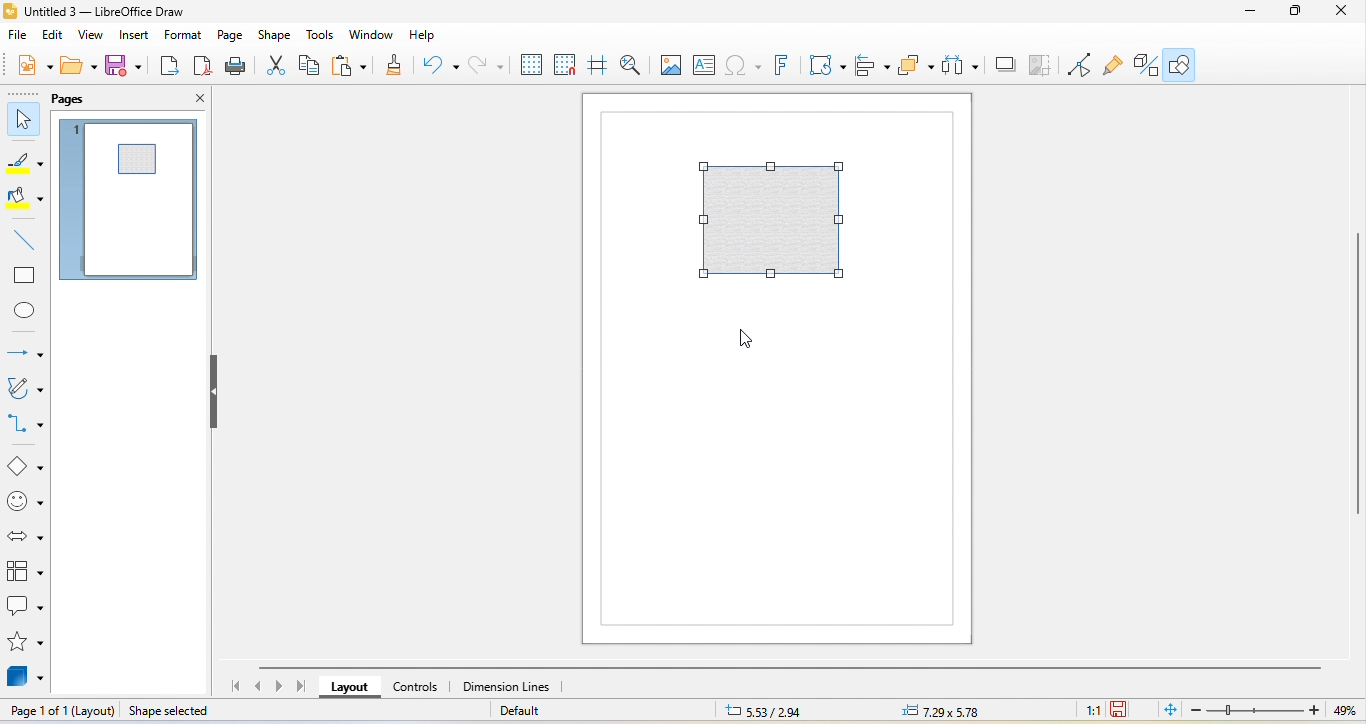 This screenshot has height=724, width=1366. I want to click on block arrows, so click(24, 531).